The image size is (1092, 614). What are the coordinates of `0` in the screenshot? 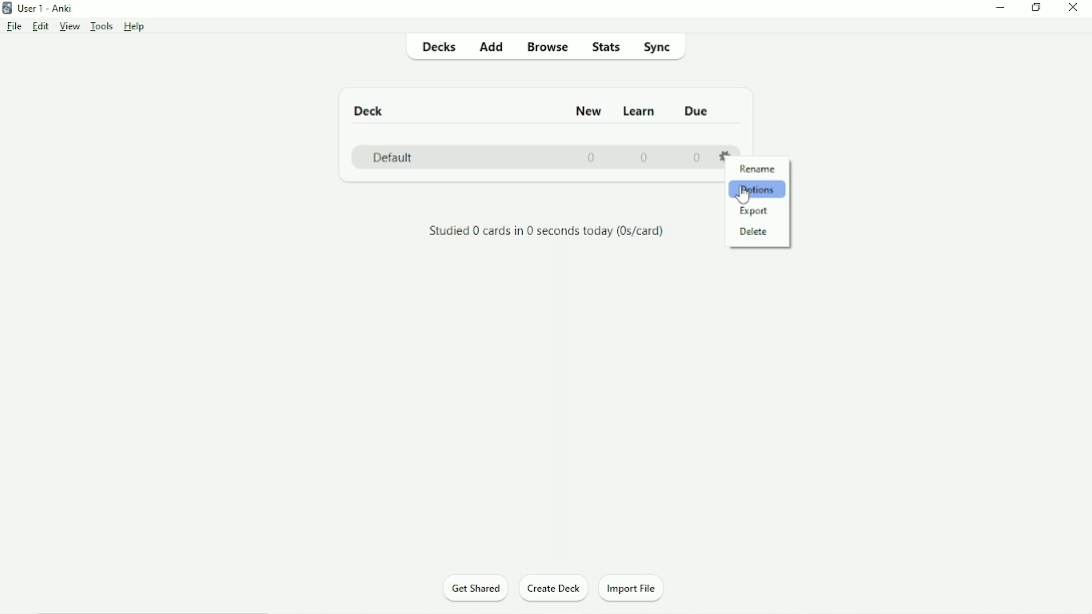 It's located at (589, 158).